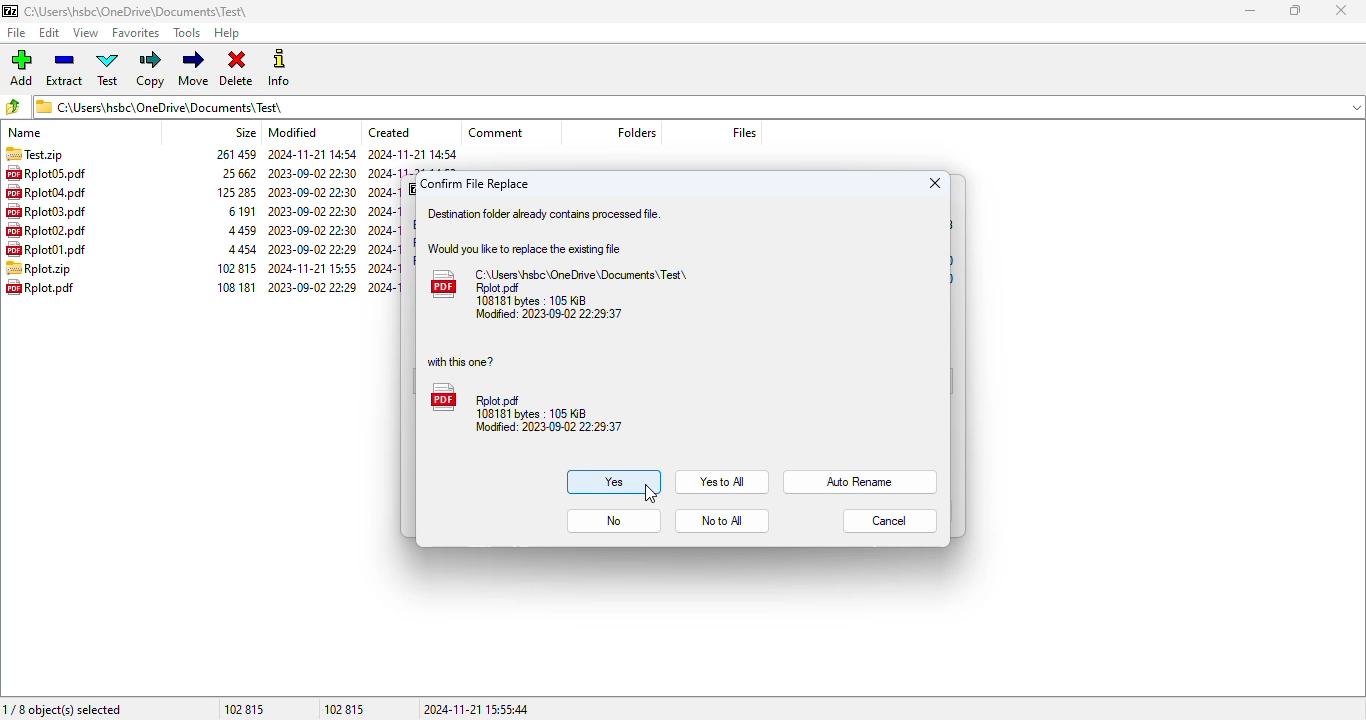 The height and width of the screenshot is (720, 1366). Describe the element at coordinates (86, 33) in the screenshot. I see `view` at that location.